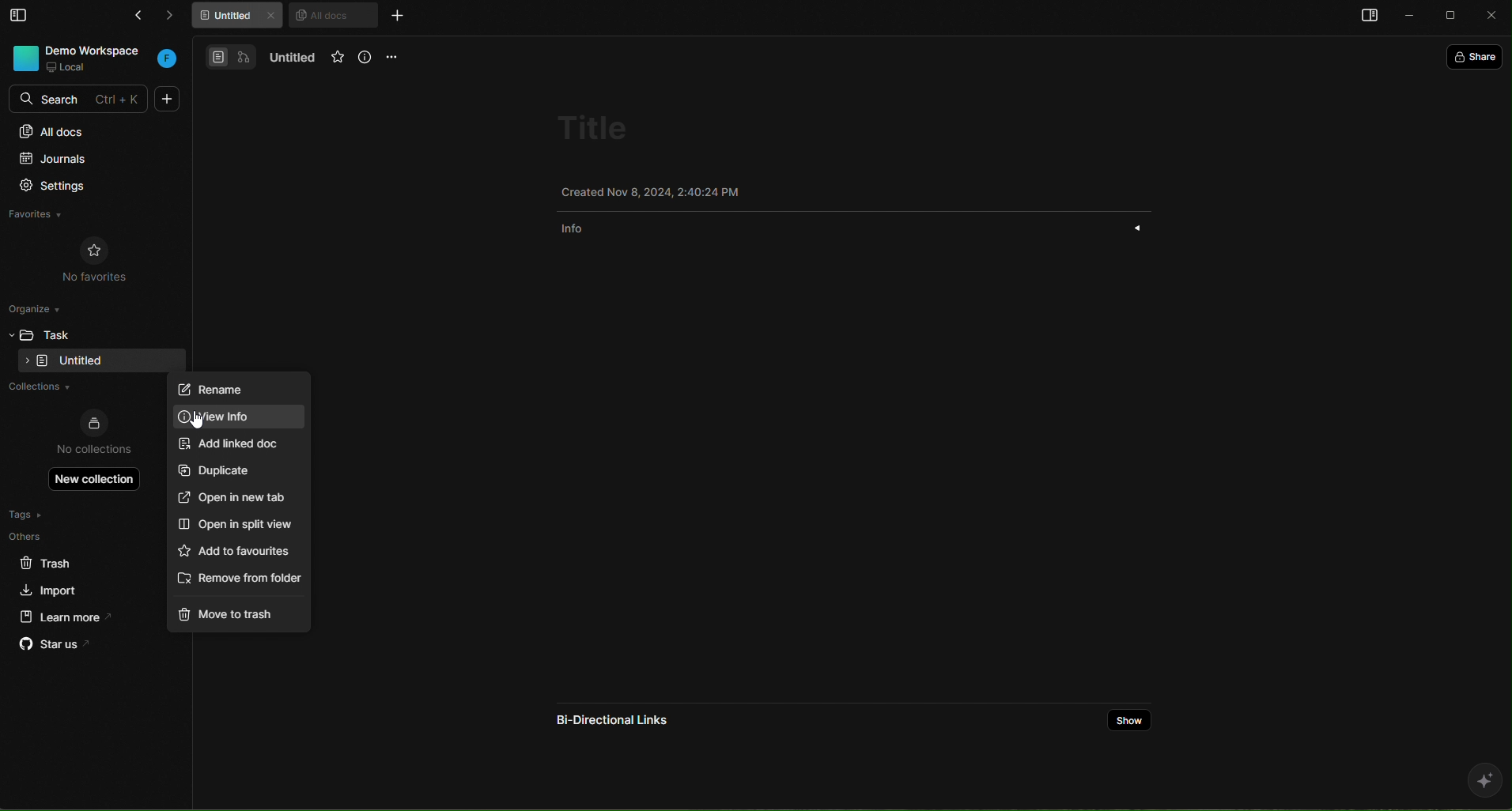 This screenshot has height=811, width=1512. Describe the element at coordinates (1453, 17) in the screenshot. I see `maximize` at that location.